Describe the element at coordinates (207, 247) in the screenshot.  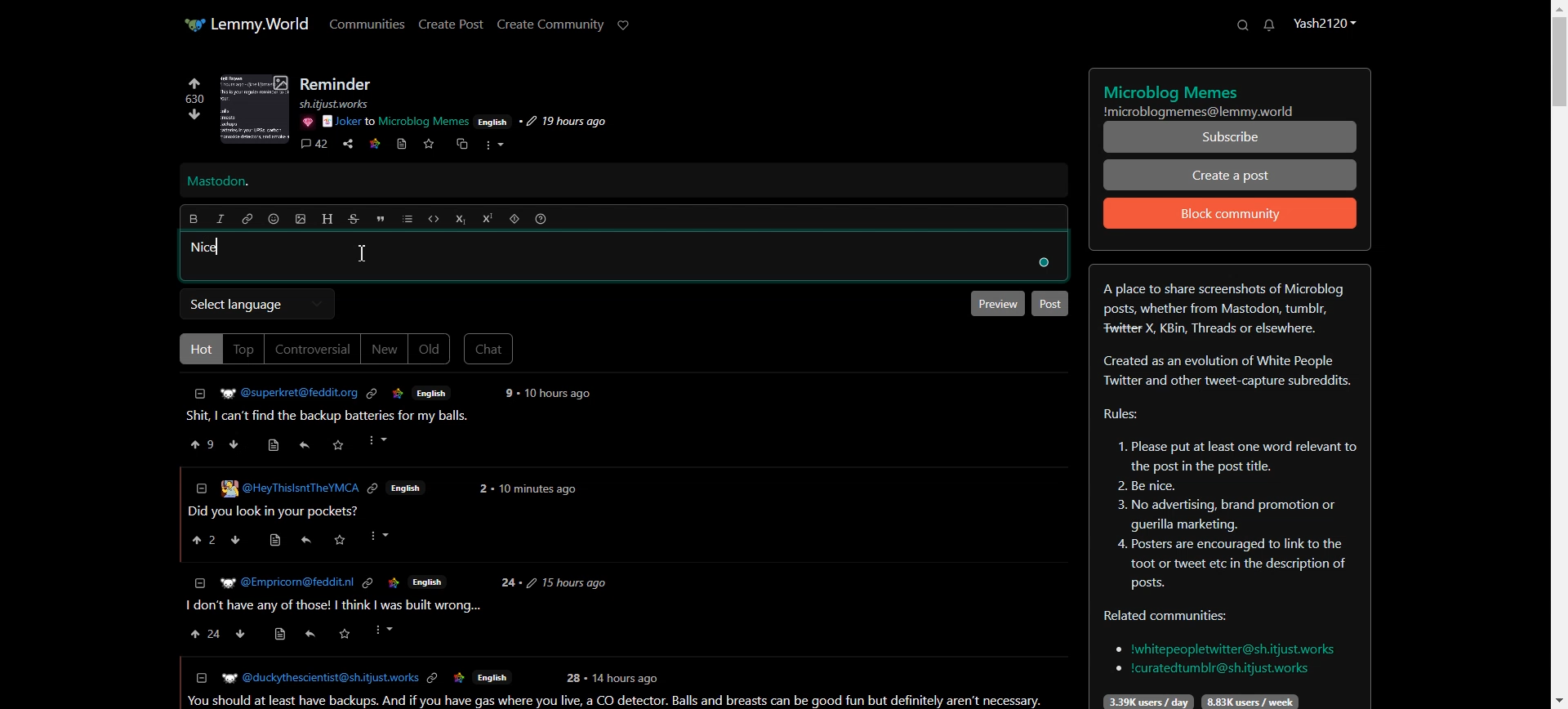
I see `Text` at that location.